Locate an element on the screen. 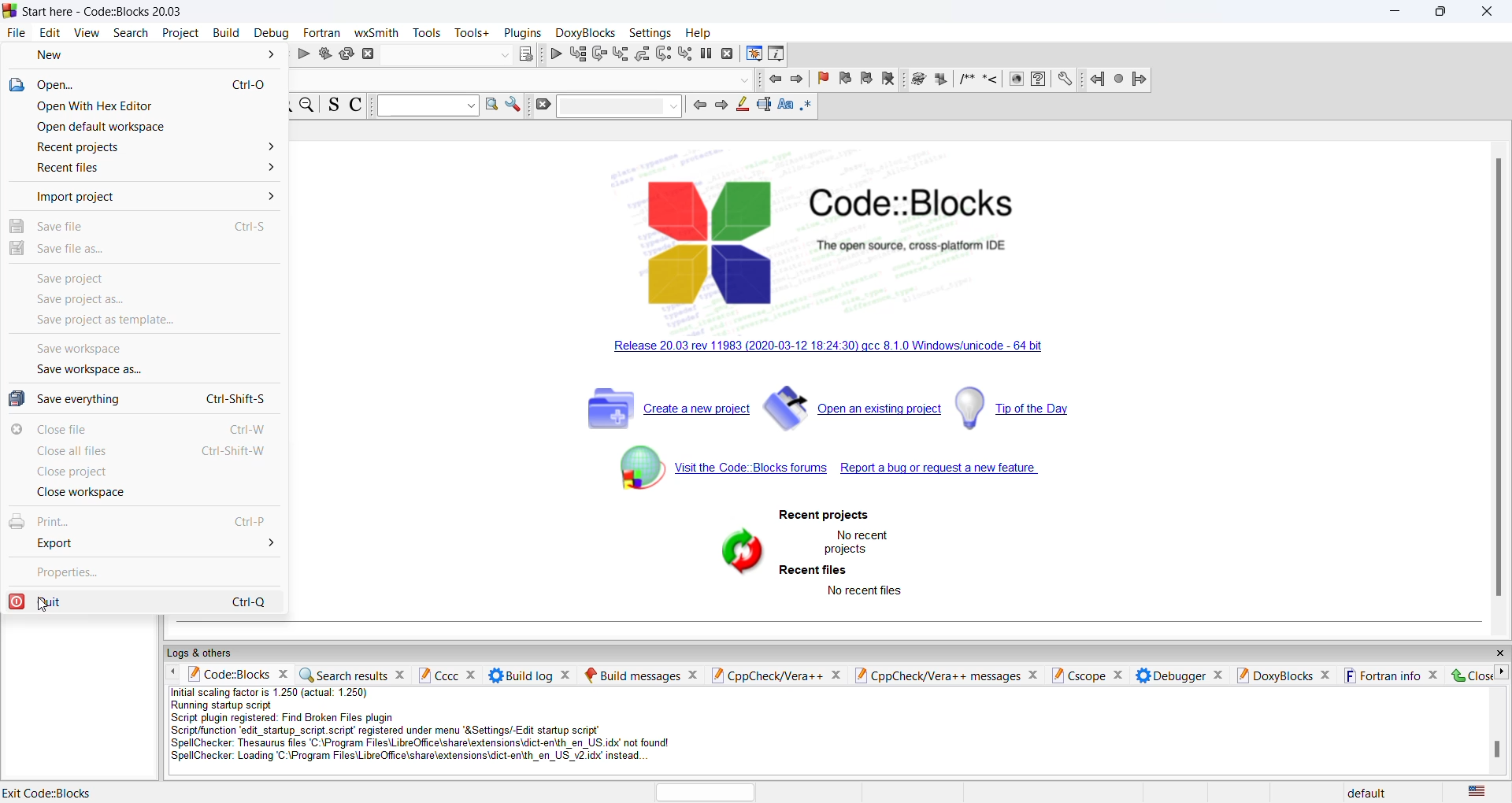  Ctrl-Shift-W is located at coordinates (232, 450).